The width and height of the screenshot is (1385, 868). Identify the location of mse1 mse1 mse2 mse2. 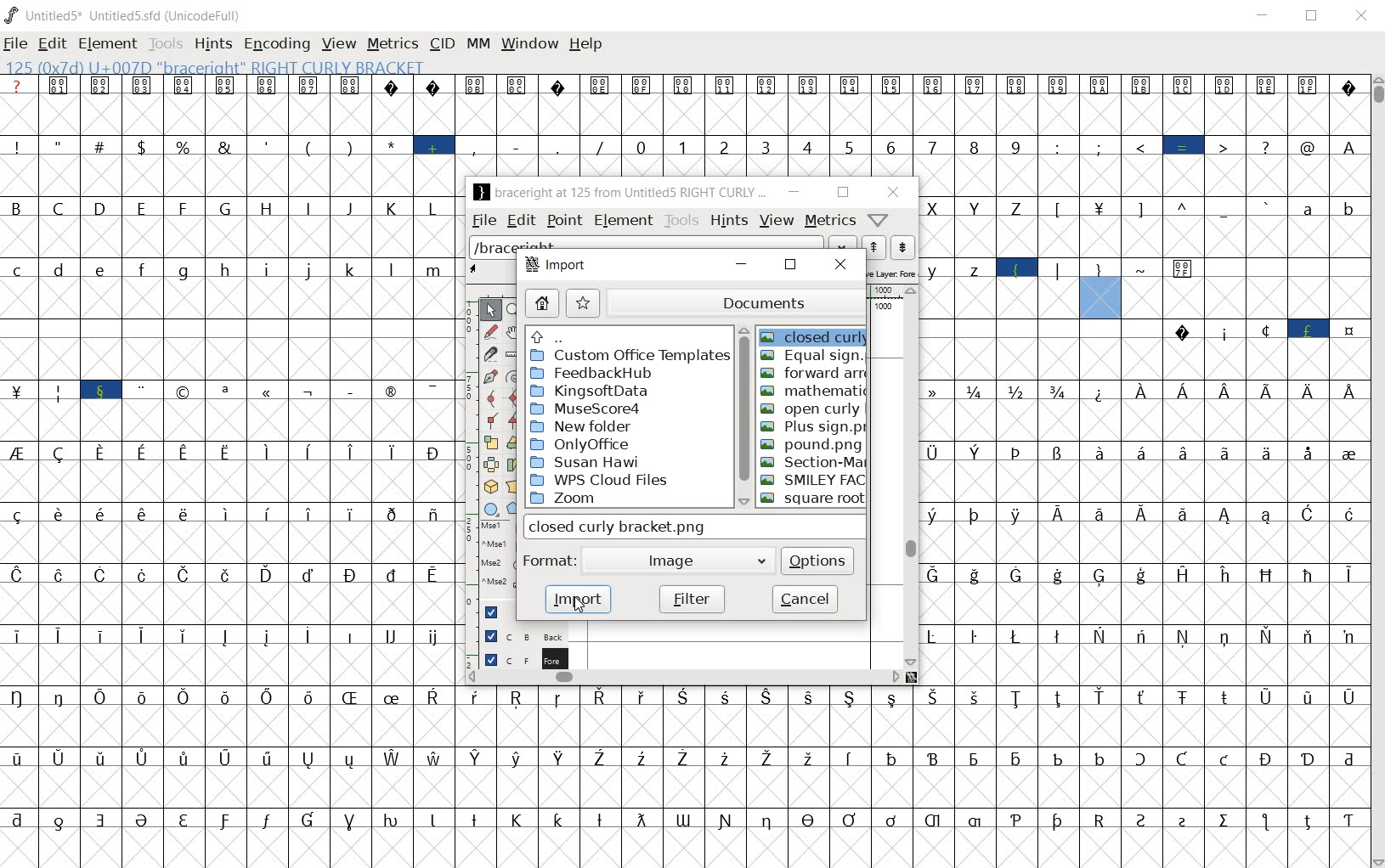
(489, 557).